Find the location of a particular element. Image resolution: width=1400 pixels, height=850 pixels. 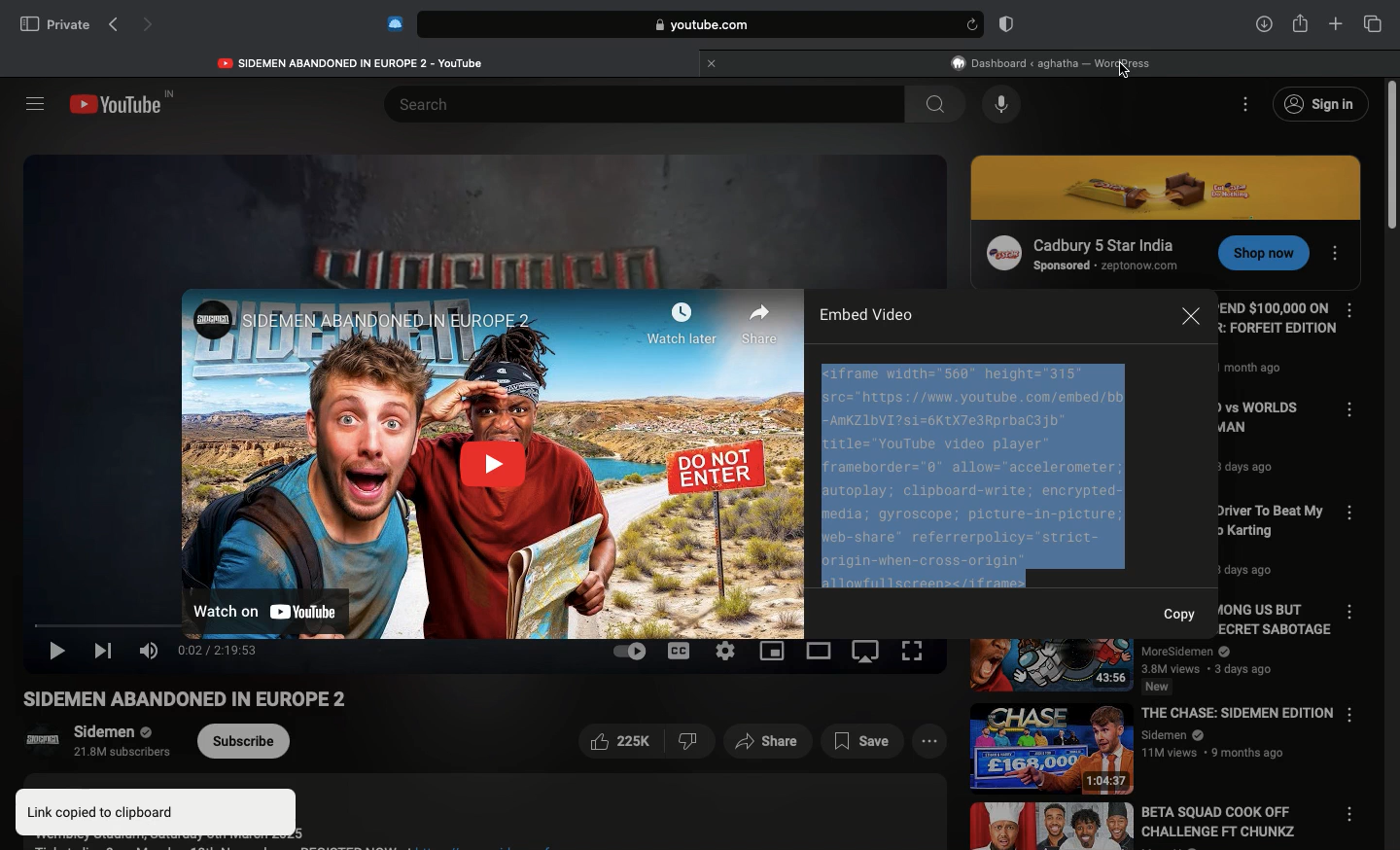

Share is located at coordinates (1300, 21).